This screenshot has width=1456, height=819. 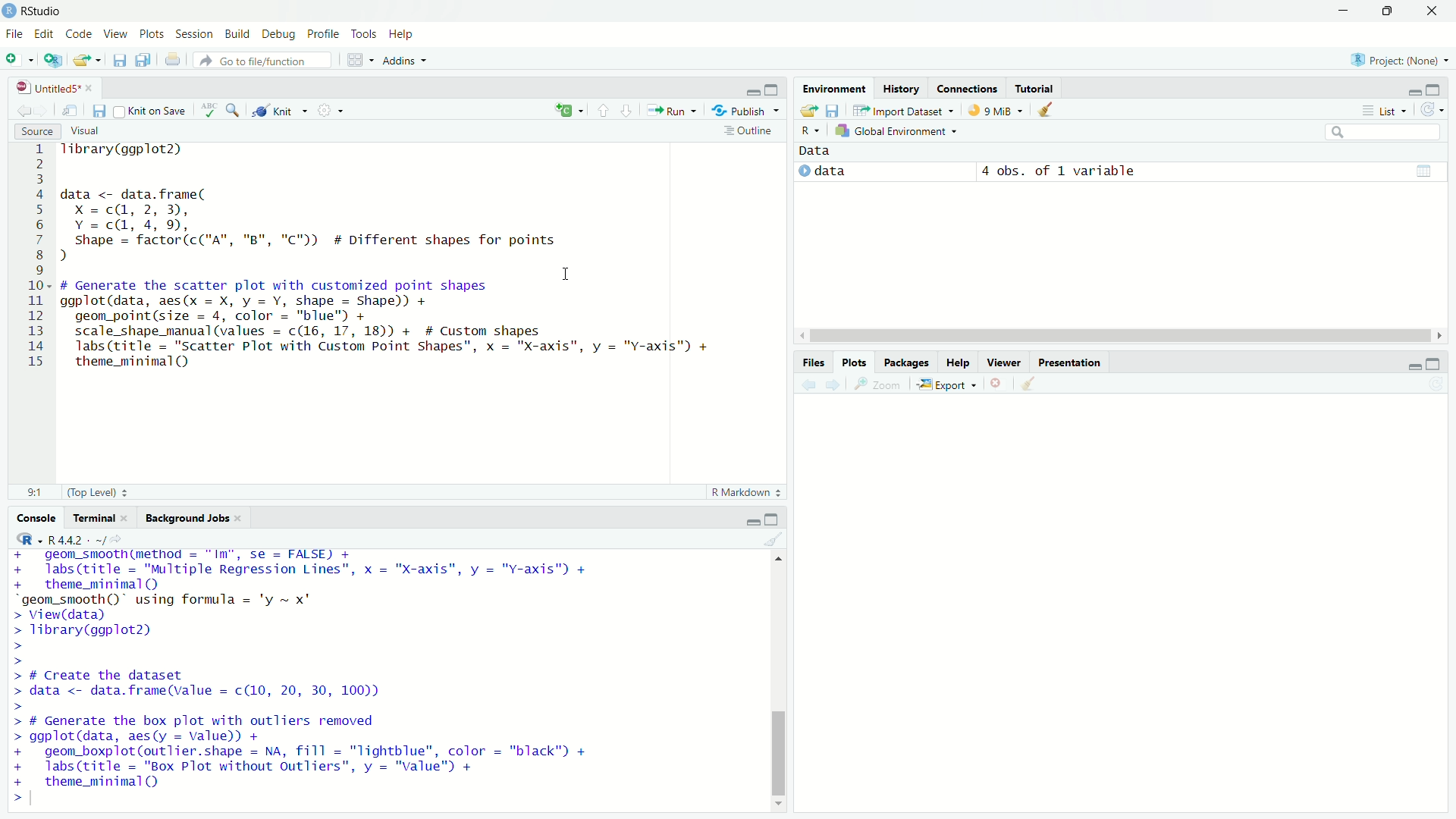 I want to click on search bar, so click(x=1384, y=133).